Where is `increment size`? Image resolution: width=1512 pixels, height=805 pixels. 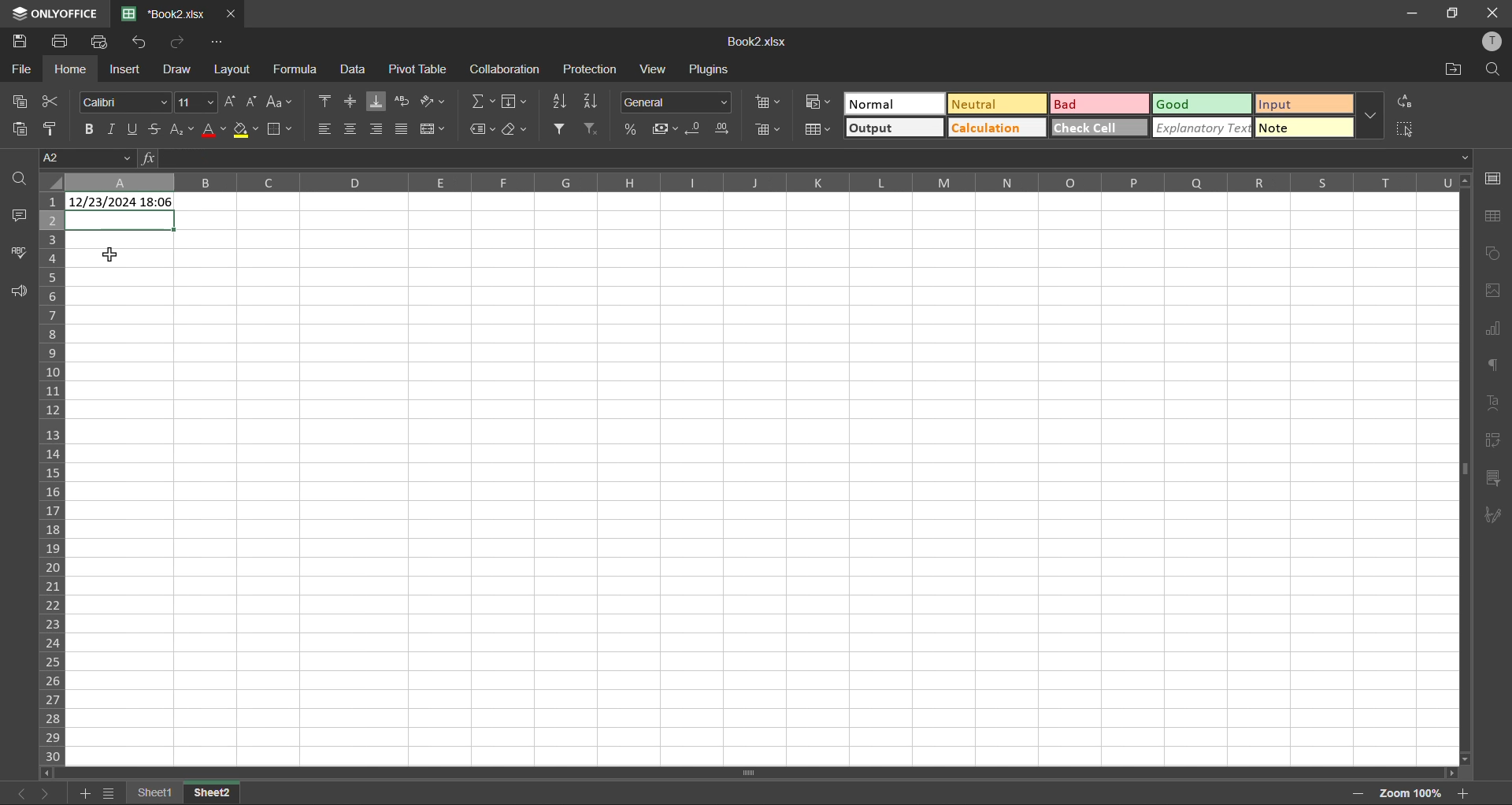
increment size is located at coordinates (234, 102).